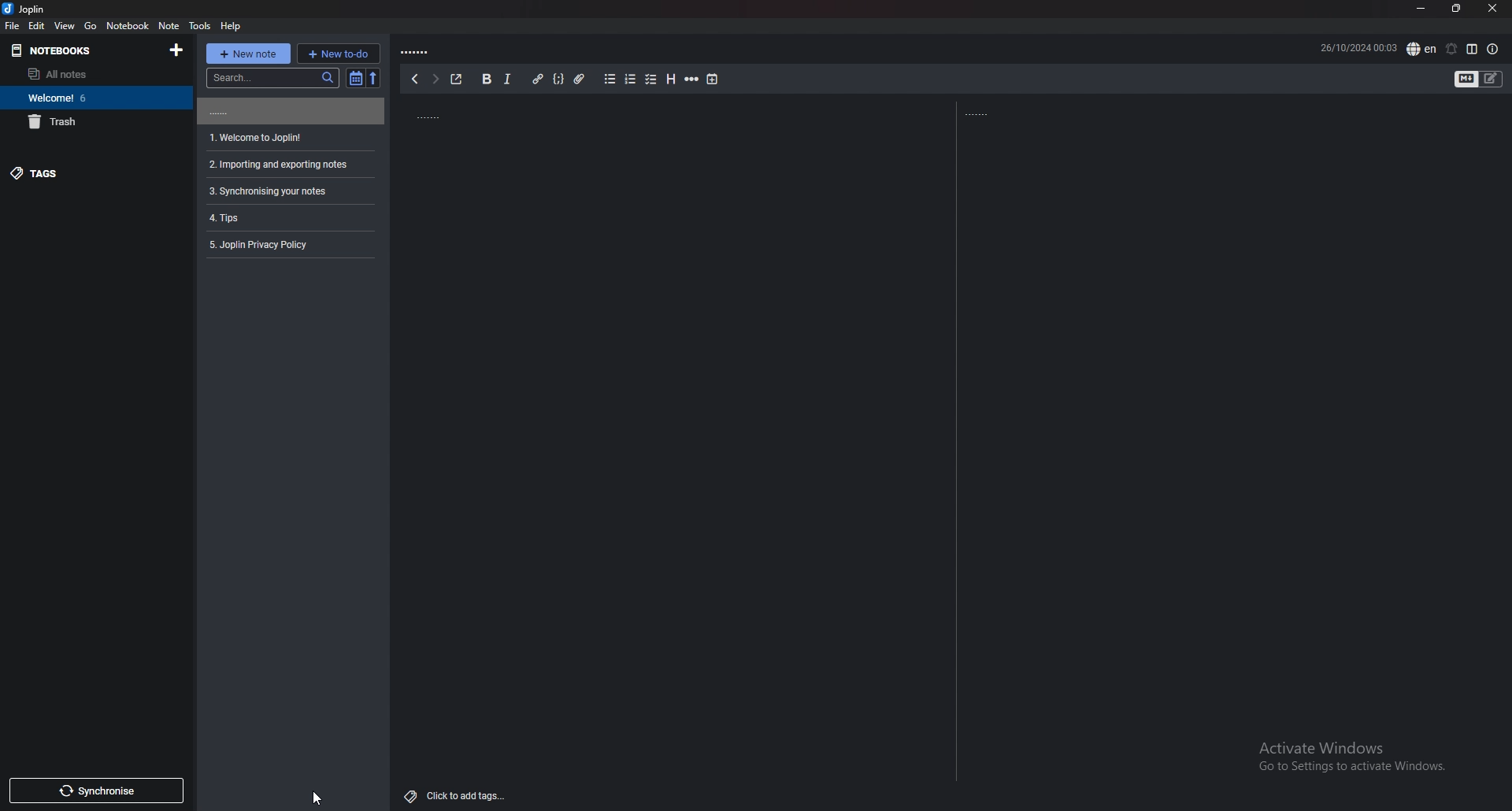 Image resolution: width=1512 pixels, height=811 pixels. I want to click on code, so click(560, 79).